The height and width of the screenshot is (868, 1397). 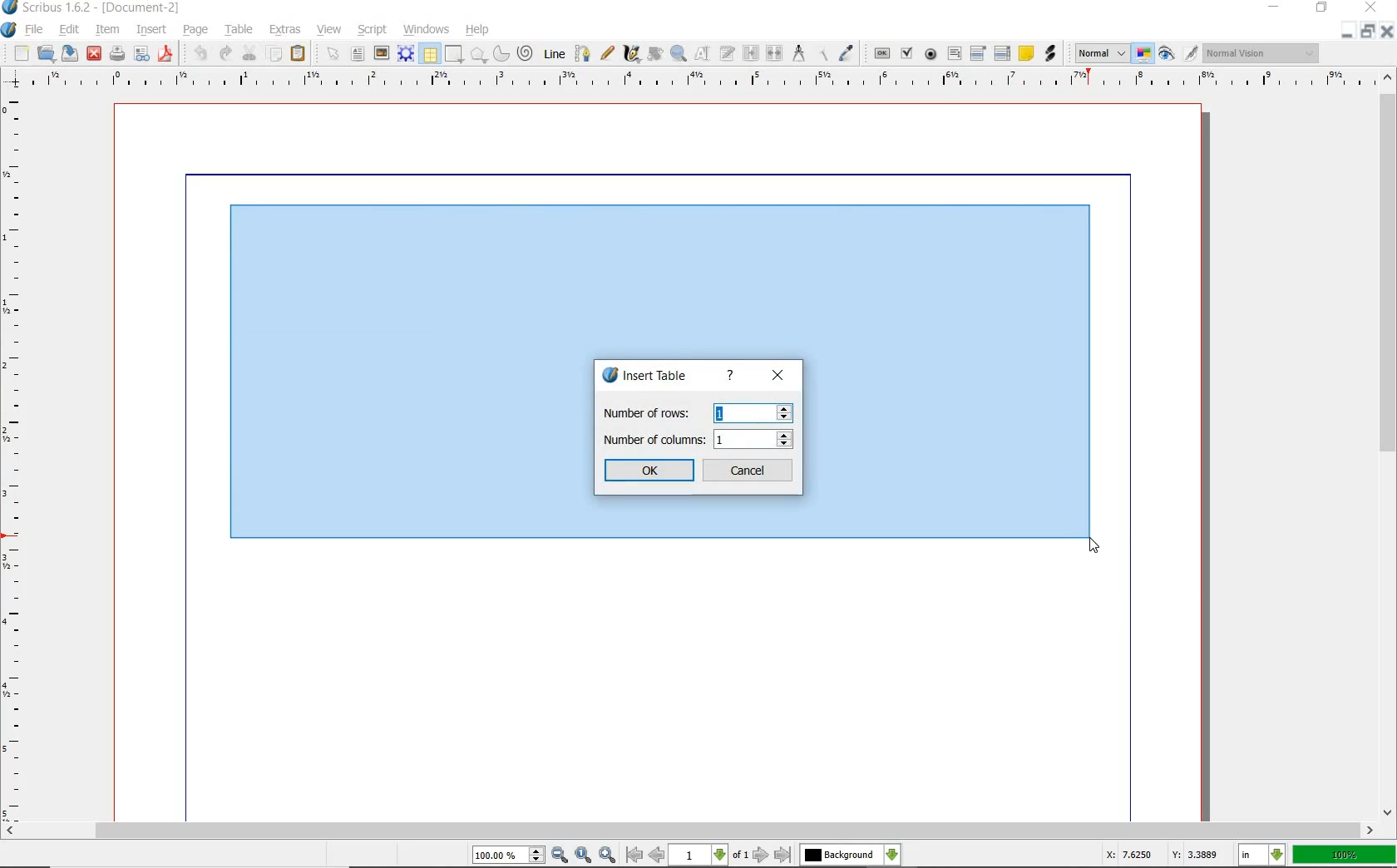 I want to click on copy, so click(x=275, y=55).